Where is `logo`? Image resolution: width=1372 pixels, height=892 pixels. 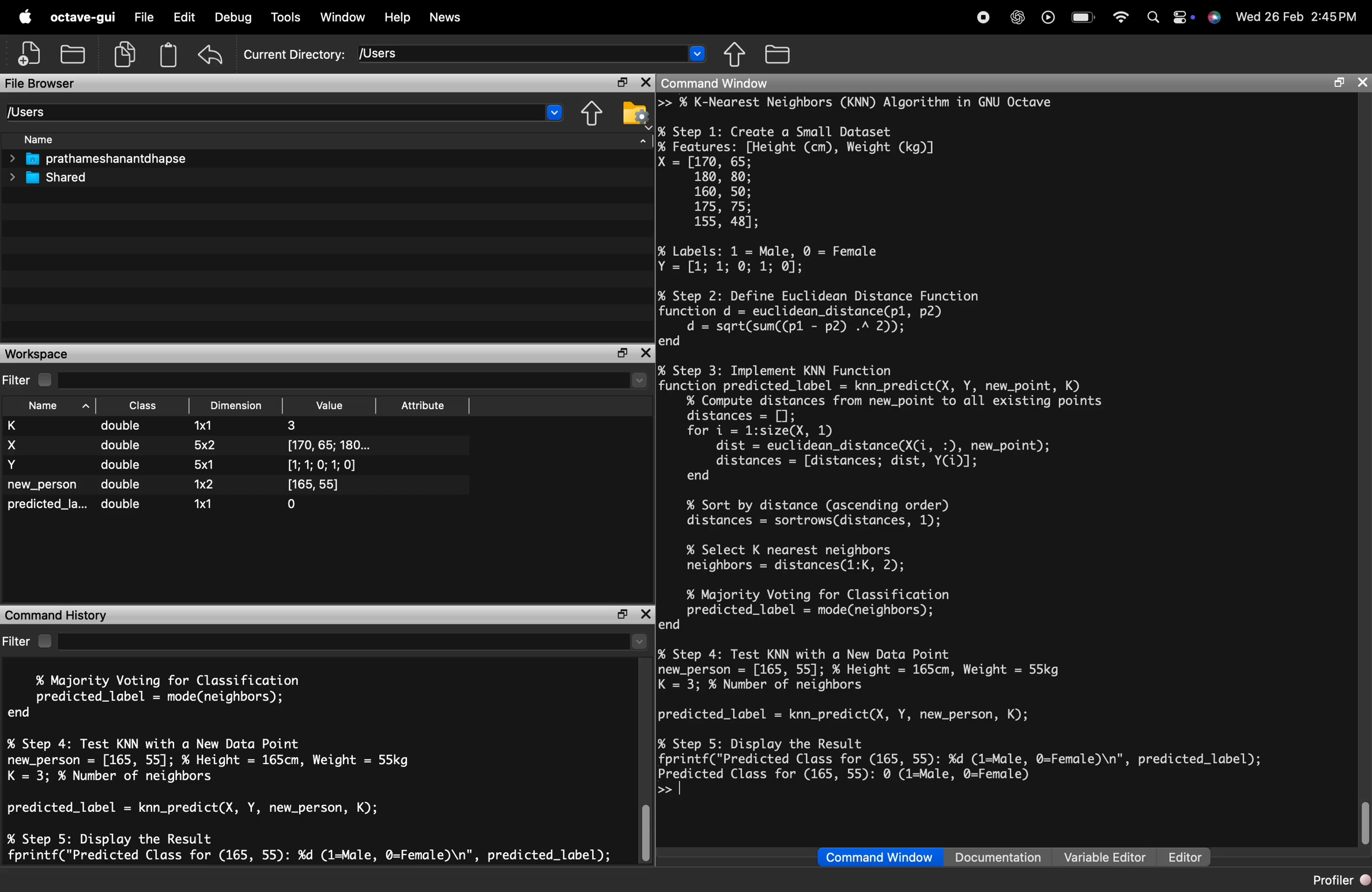
logo is located at coordinates (25, 17).